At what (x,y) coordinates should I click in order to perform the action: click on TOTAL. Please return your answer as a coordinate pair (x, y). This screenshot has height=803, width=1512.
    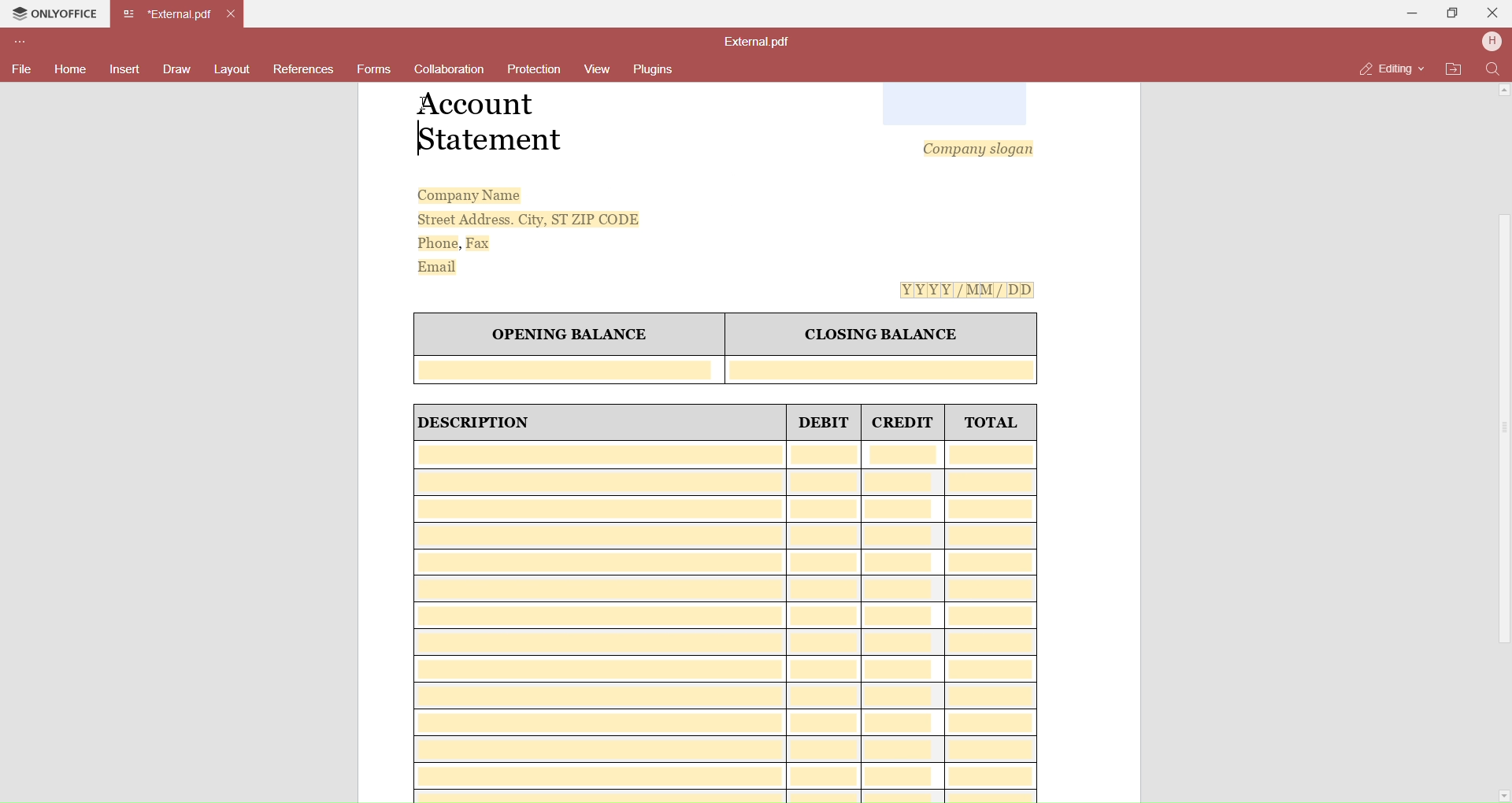
    Looking at the image, I should click on (991, 423).